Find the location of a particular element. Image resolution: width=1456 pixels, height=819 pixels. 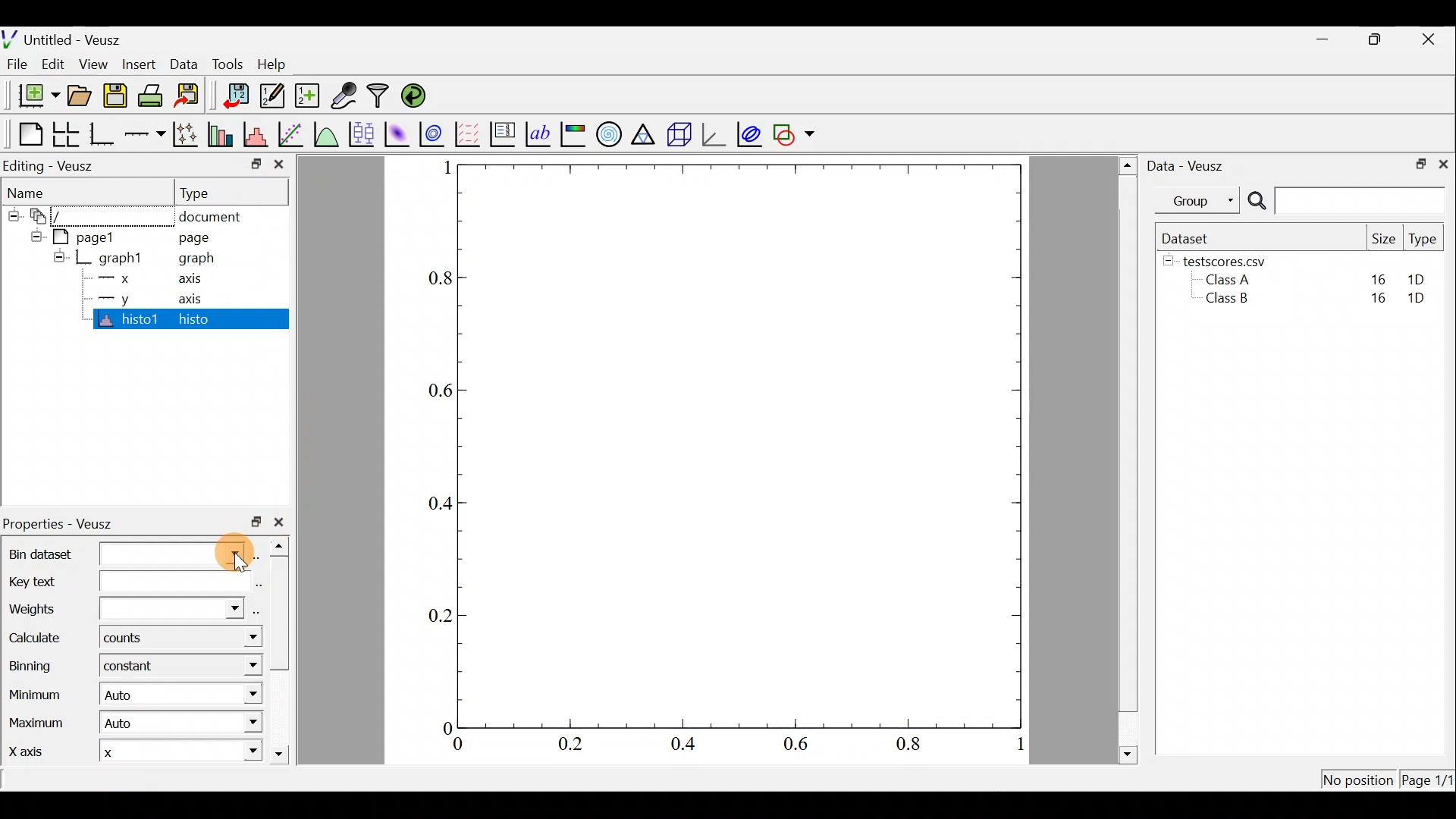

Editing - Veusz is located at coordinates (56, 165).